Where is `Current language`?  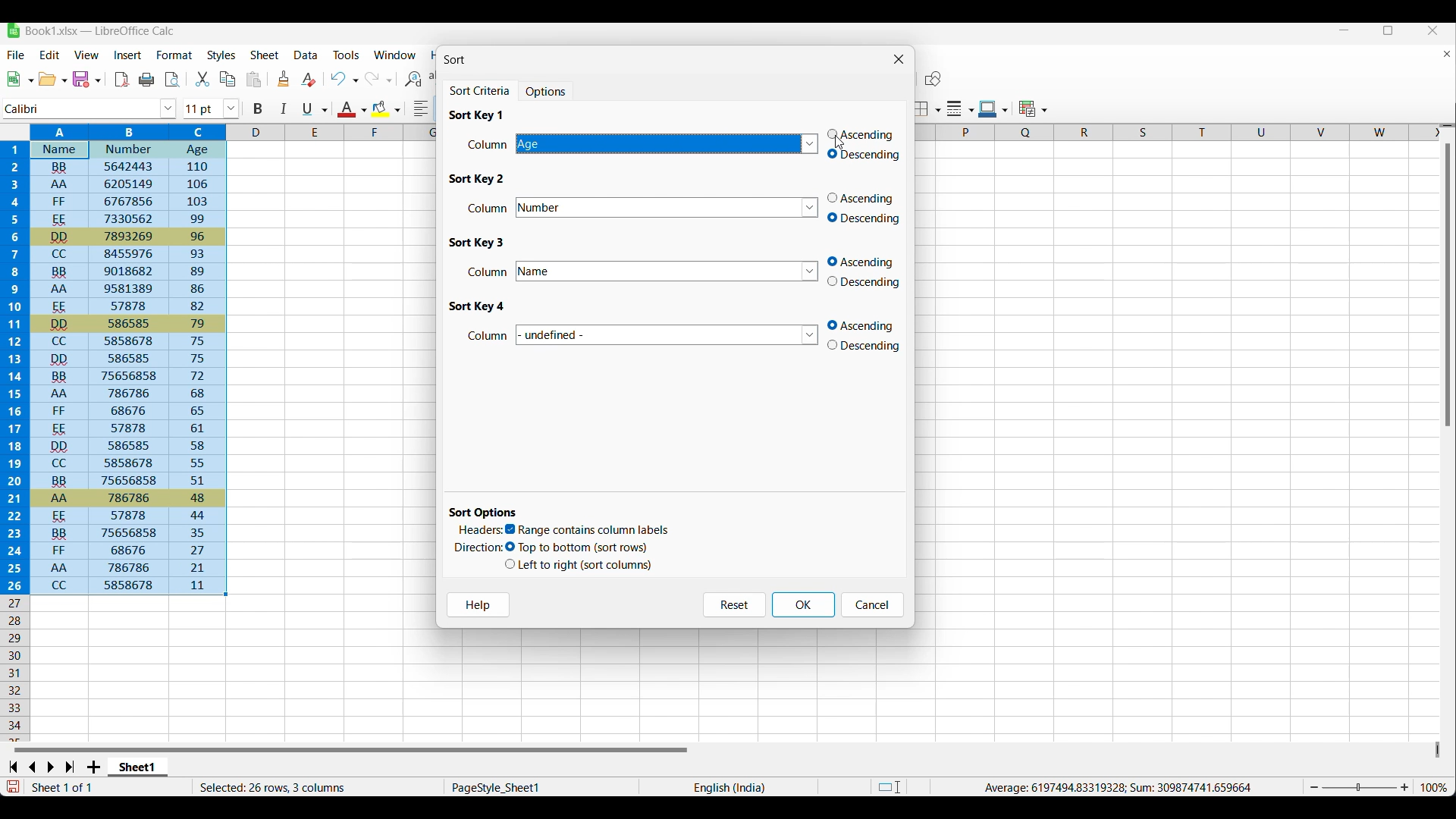
Current language is located at coordinates (728, 786).